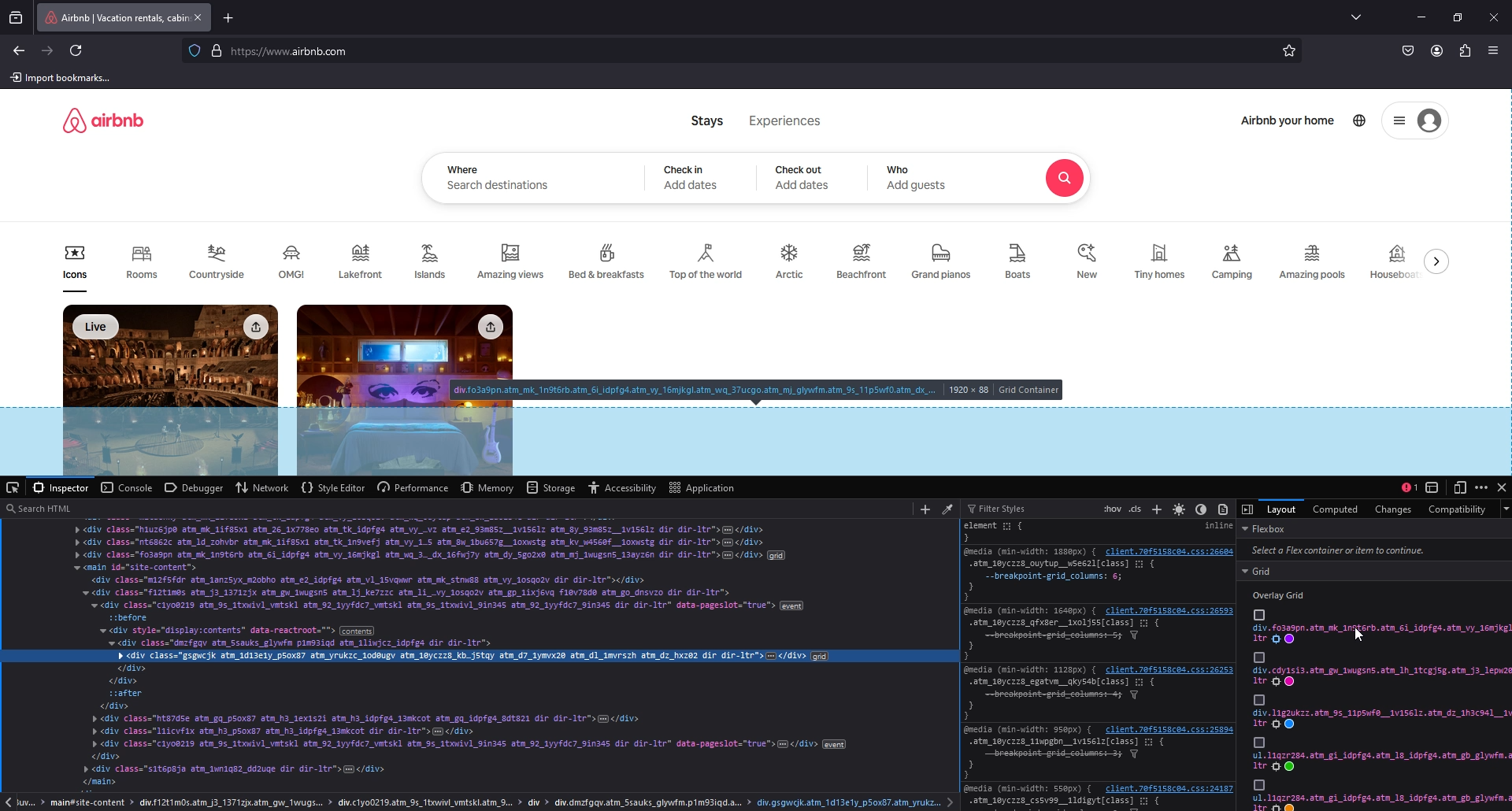 This screenshot has height=811, width=1512. What do you see at coordinates (1373, 541) in the screenshot?
I see `flexbox css` at bounding box center [1373, 541].